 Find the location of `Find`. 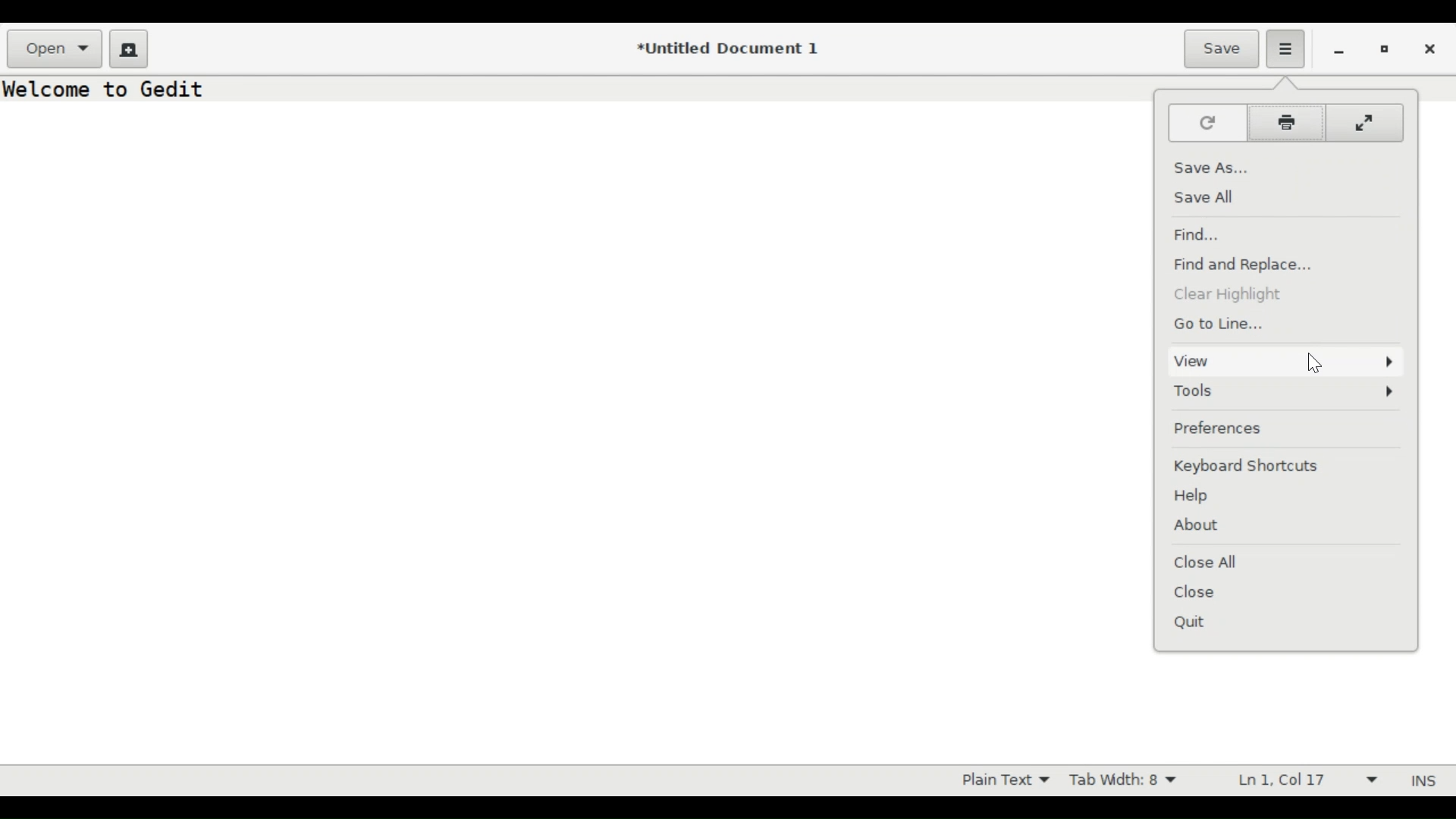

Find is located at coordinates (1200, 235).